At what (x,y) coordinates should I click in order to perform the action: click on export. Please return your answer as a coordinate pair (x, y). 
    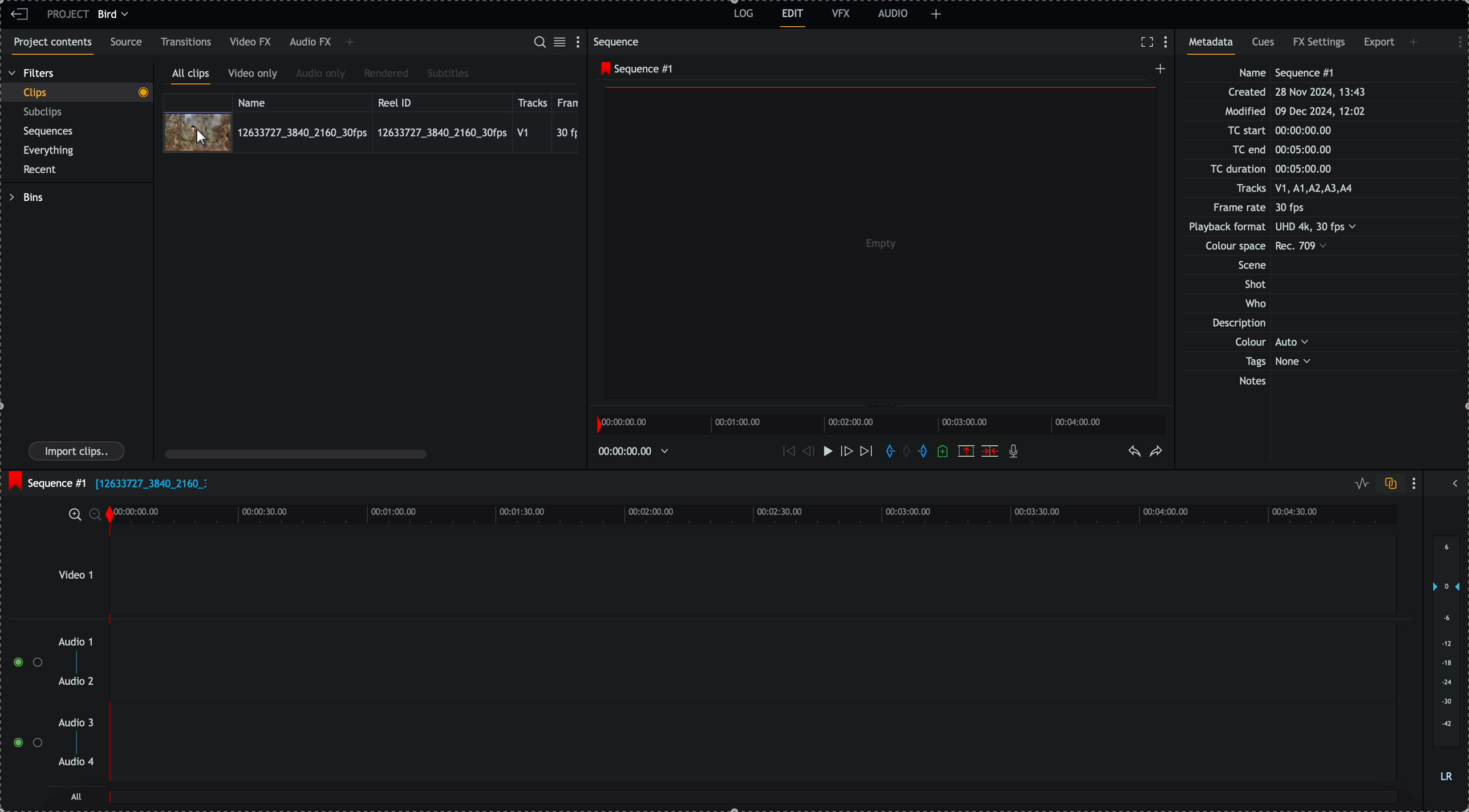
    Looking at the image, I should click on (1379, 44).